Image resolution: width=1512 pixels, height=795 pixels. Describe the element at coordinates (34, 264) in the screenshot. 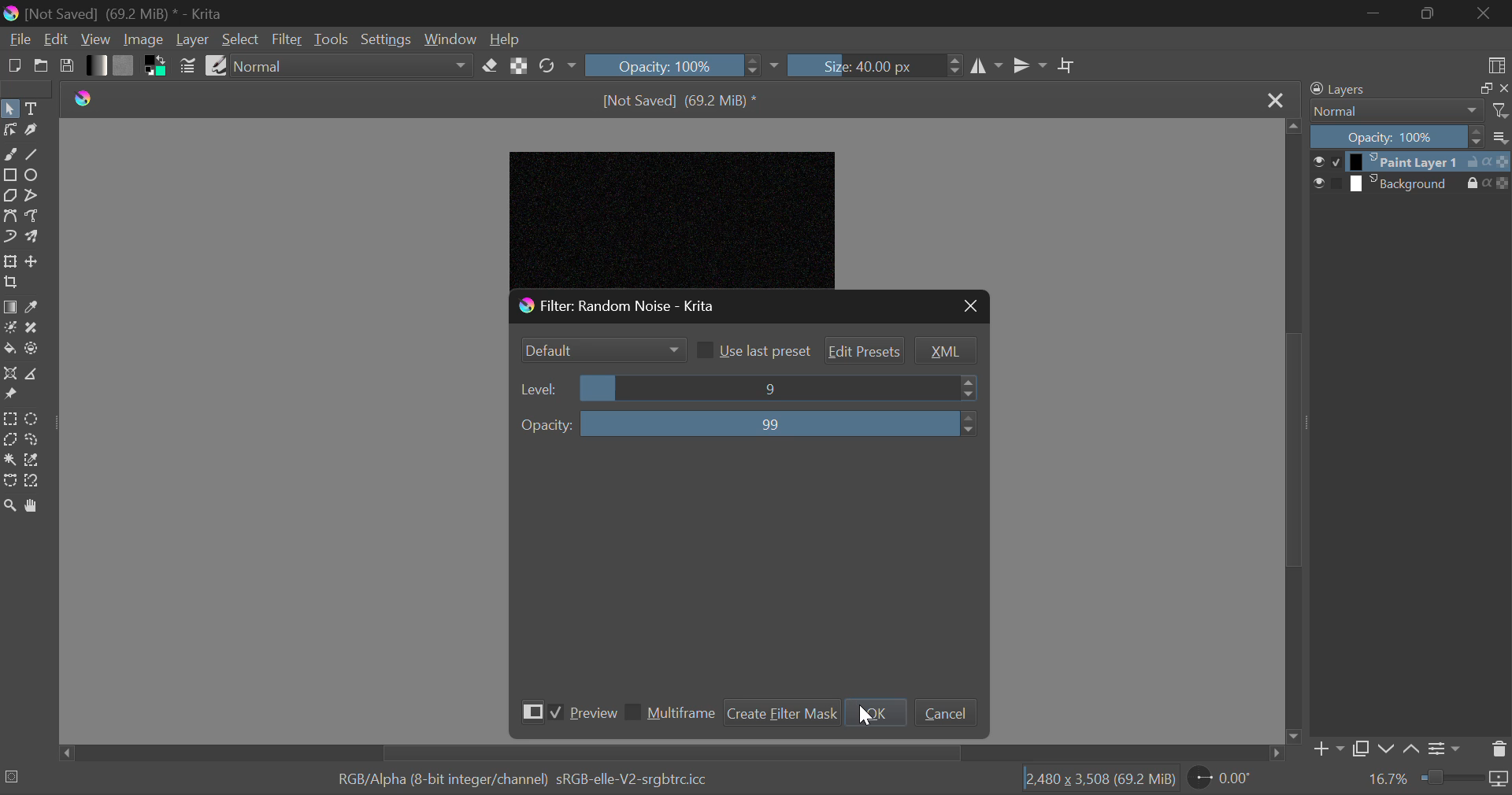

I see `Move Layer` at that location.